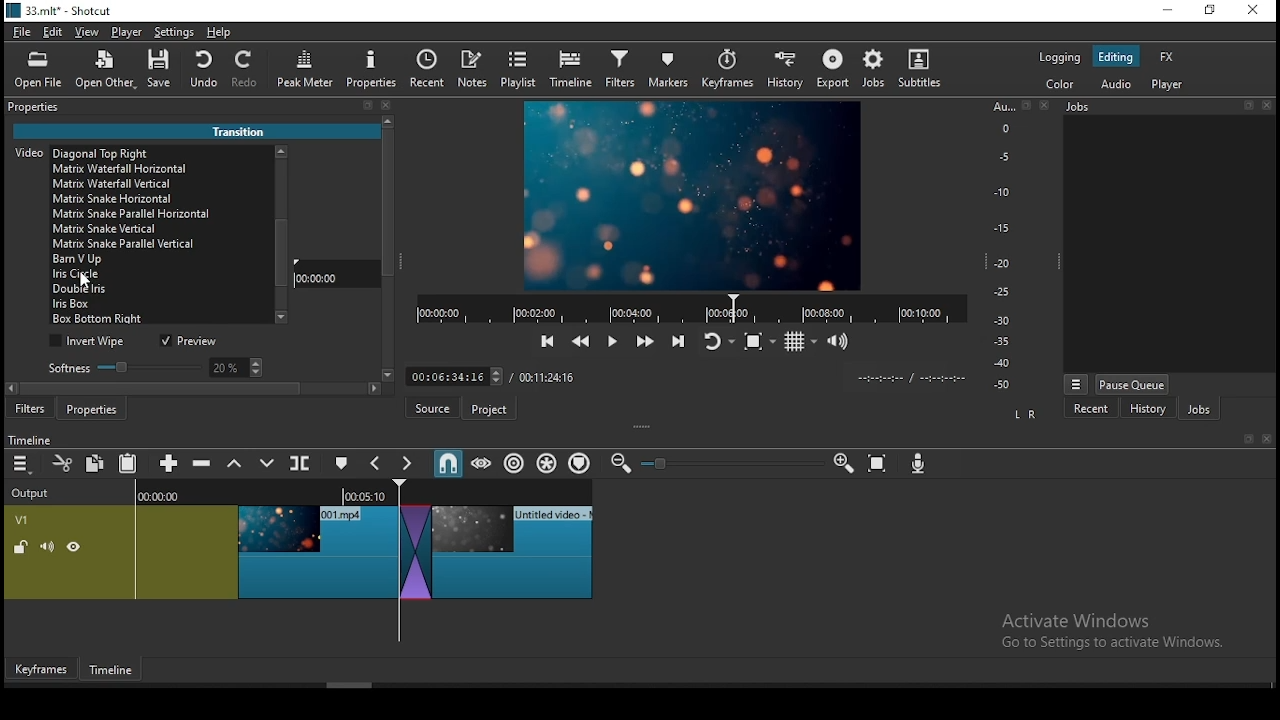  I want to click on LR, so click(1024, 416).